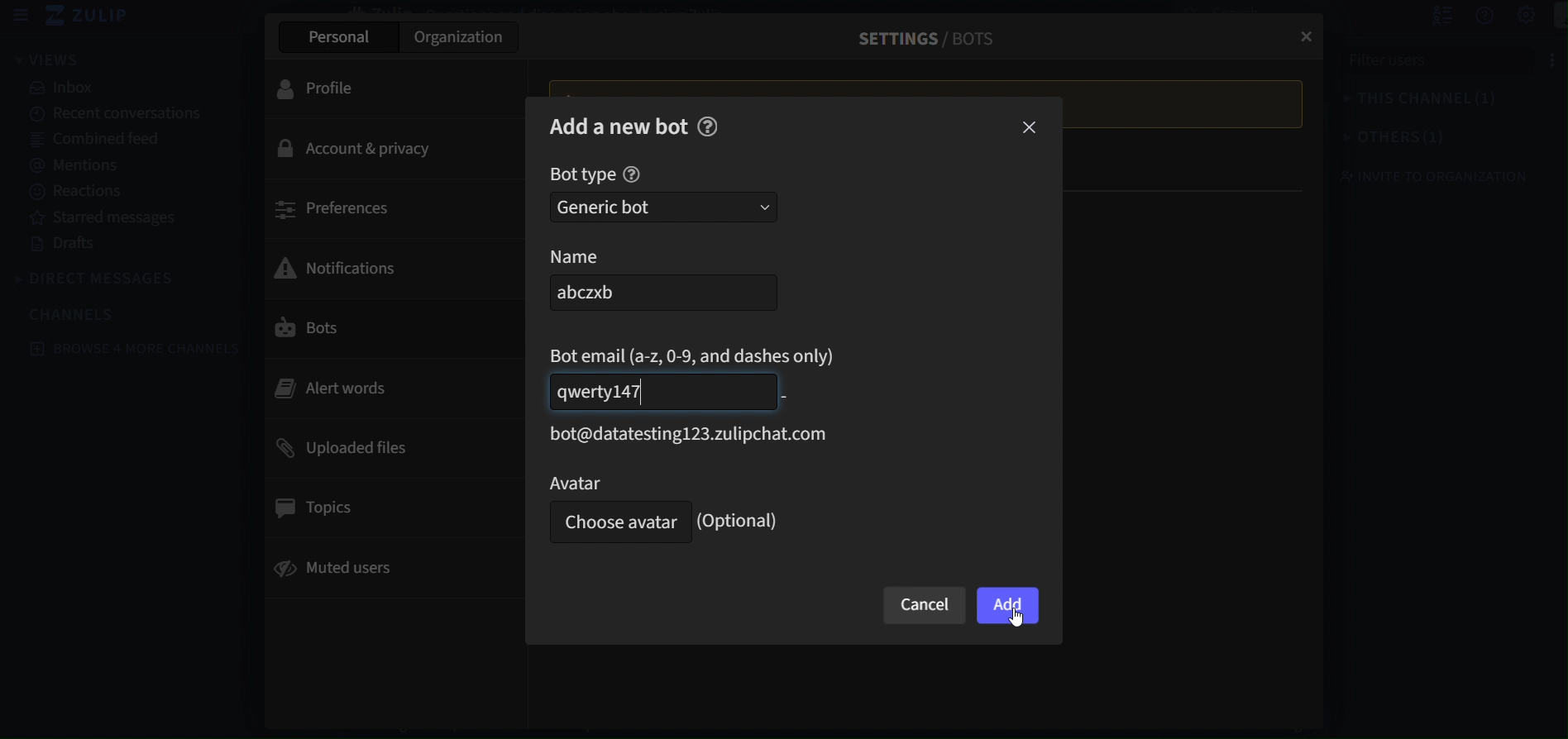  I want to click on bot email(a-z,0-9, and dashes only), so click(695, 355).